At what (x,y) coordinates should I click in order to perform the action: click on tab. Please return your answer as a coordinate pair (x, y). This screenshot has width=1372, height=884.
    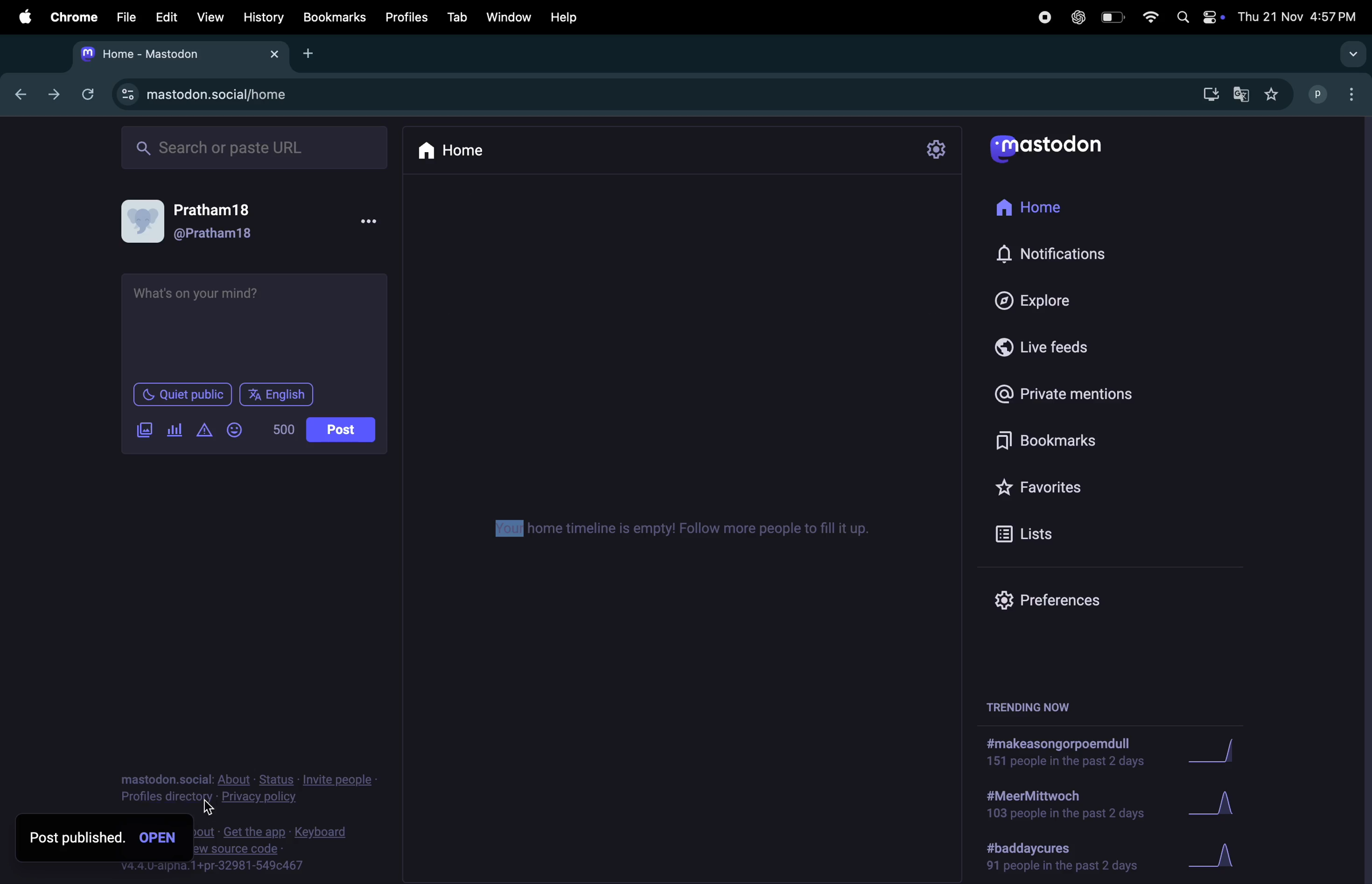
    Looking at the image, I should click on (456, 15).